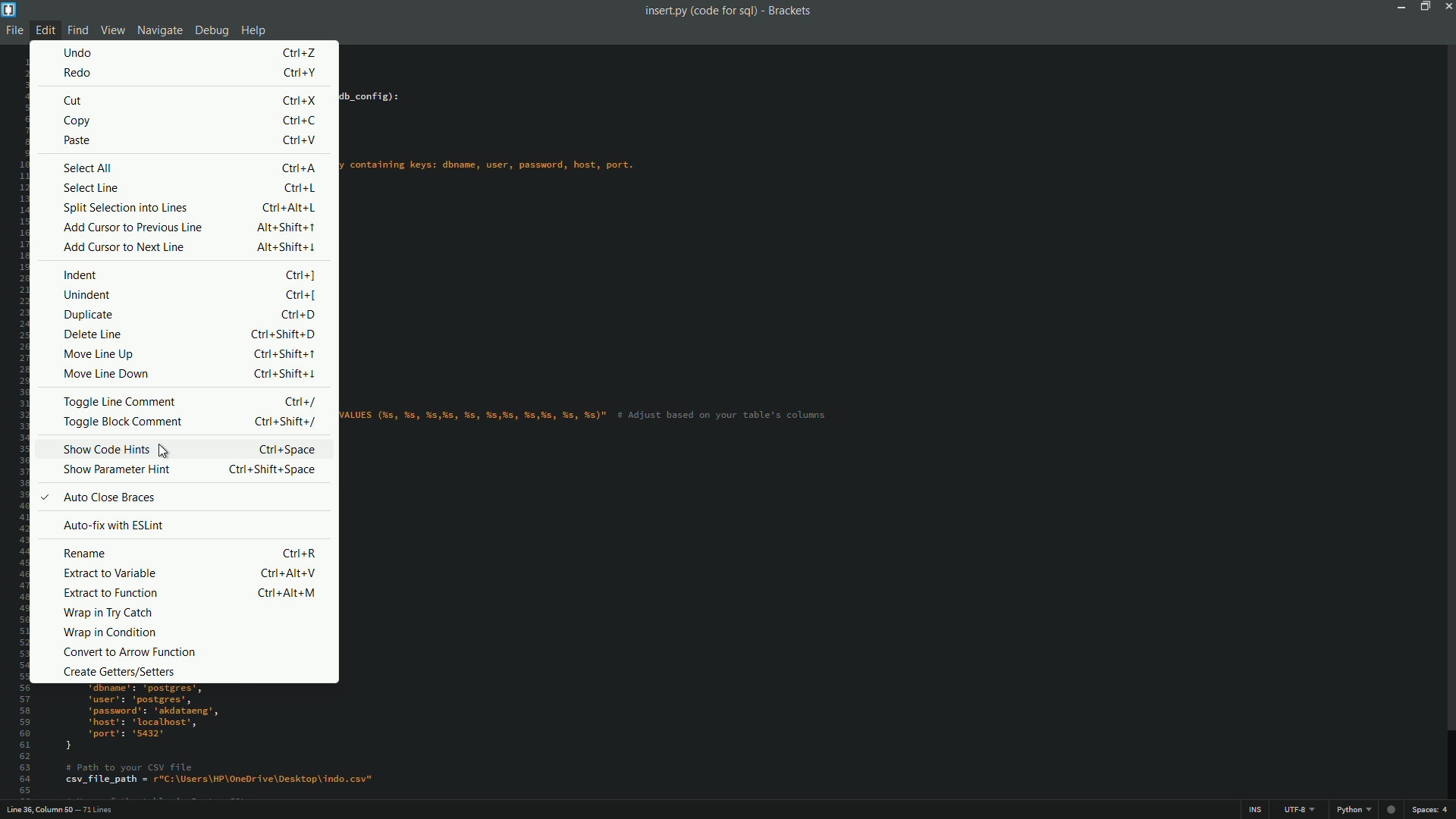 This screenshot has height=819, width=1456. Describe the element at coordinates (101, 811) in the screenshot. I see `number of lines` at that location.